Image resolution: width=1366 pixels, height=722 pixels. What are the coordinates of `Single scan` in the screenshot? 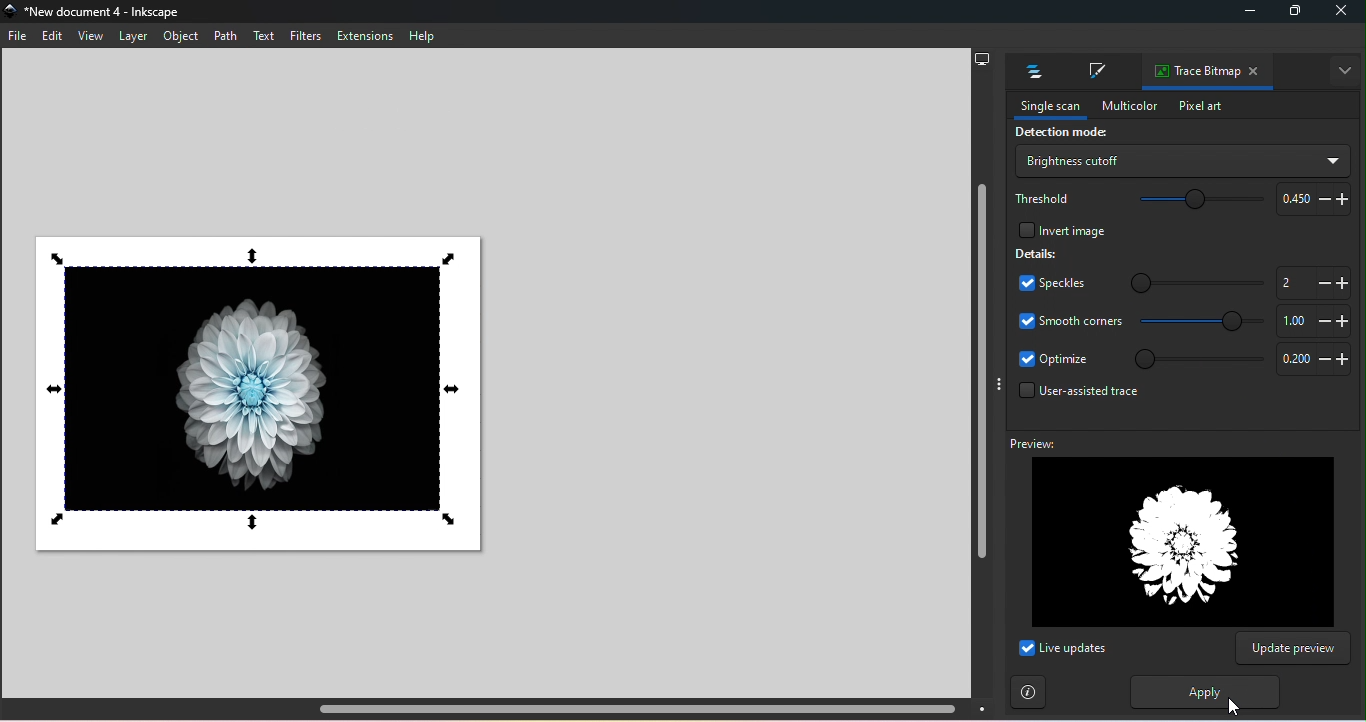 It's located at (1044, 107).